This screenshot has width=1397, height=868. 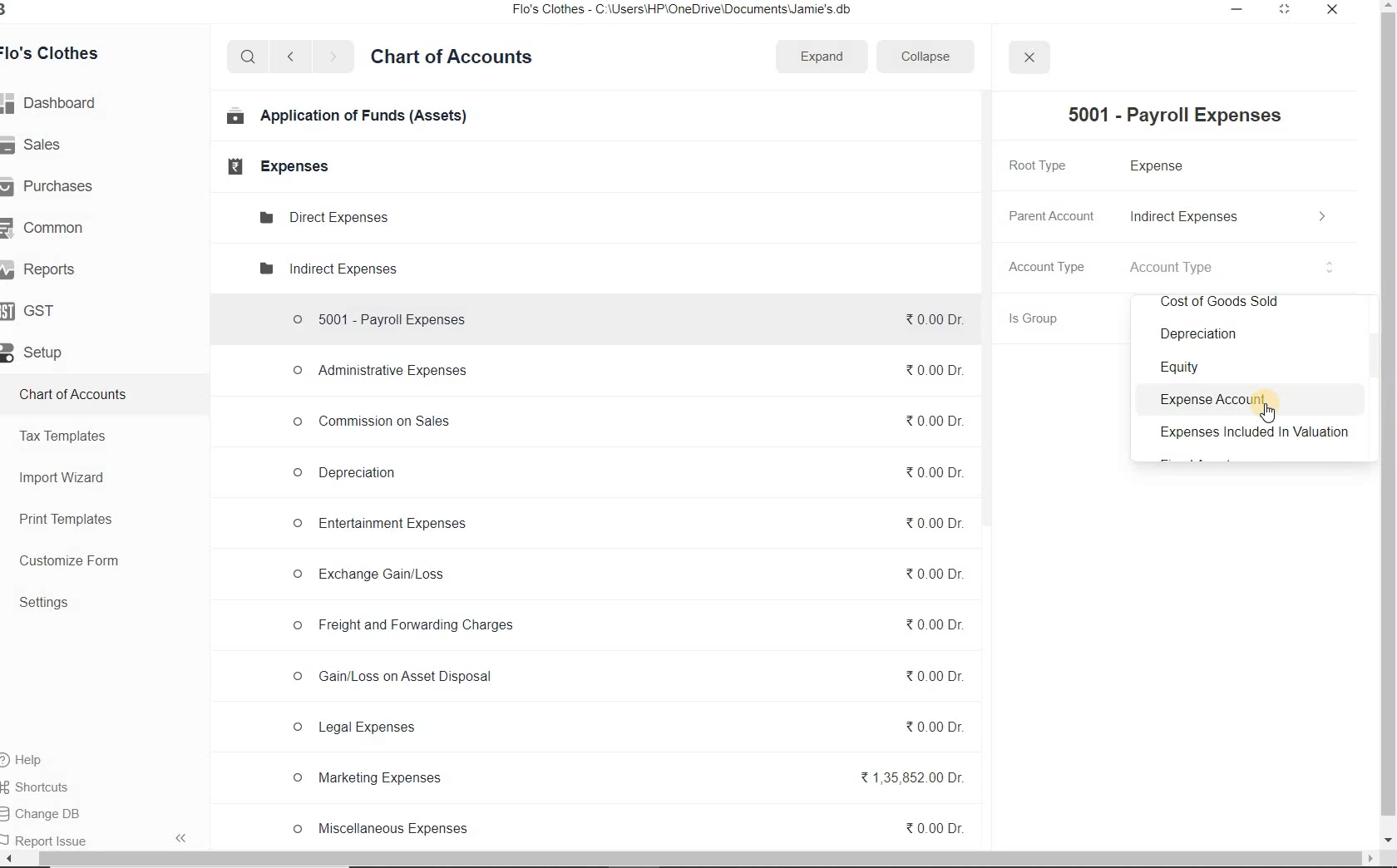 What do you see at coordinates (80, 393) in the screenshot?
I see `Chart of Accounts` at bounding box center [80, 393].